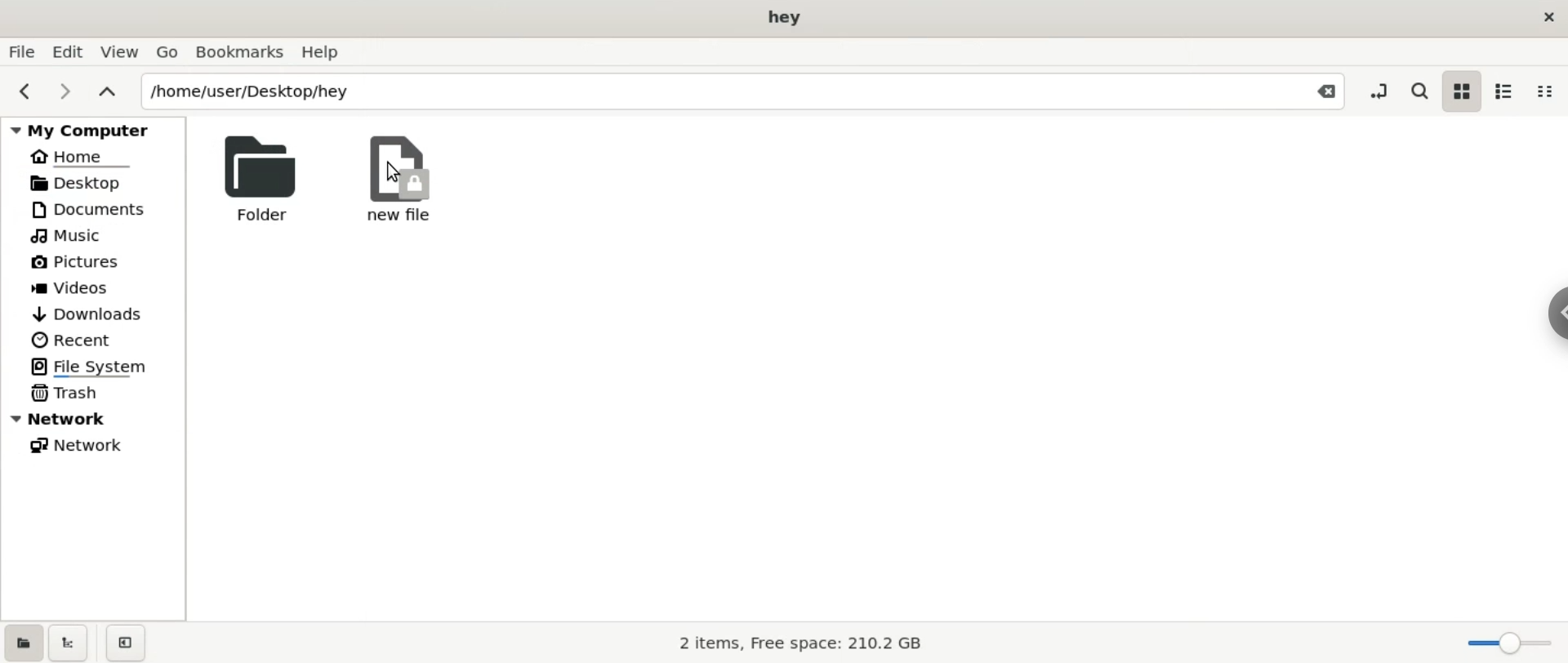 The image size is (1568, 663). Describe the element at coordinates (1550, 22) in the screenshot. I see `close` at that location.